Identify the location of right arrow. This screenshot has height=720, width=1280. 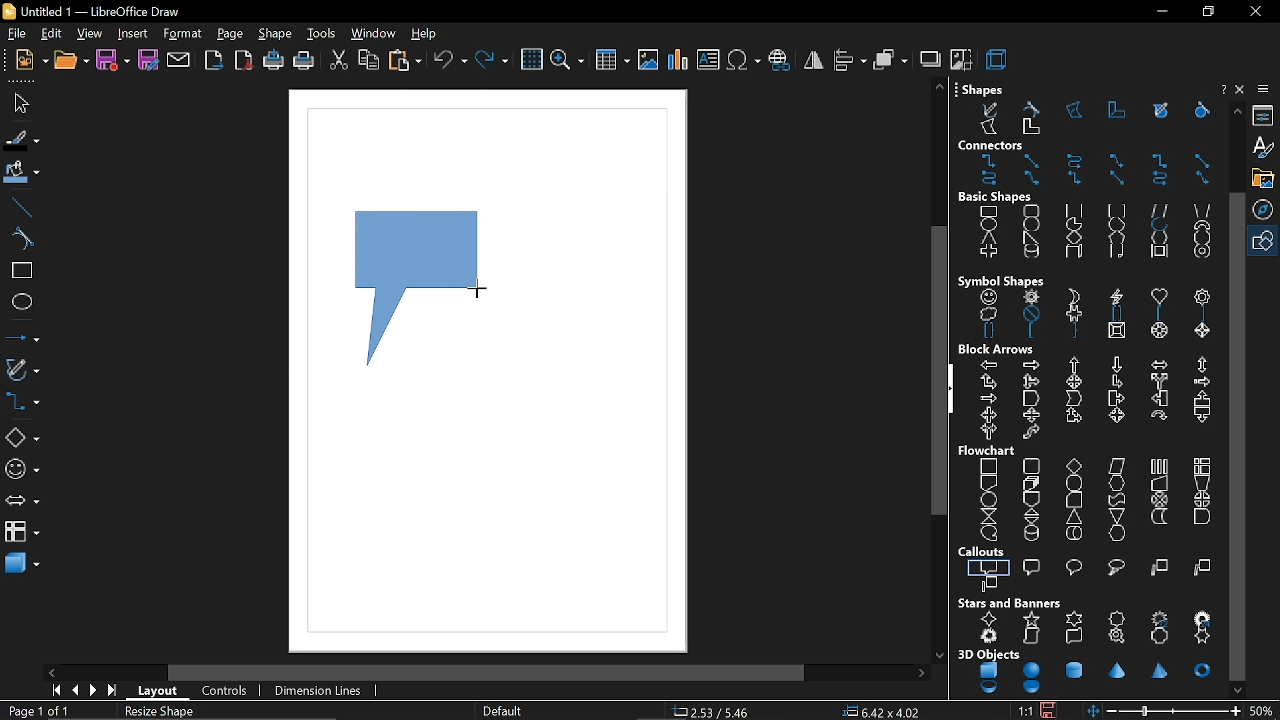
(1030, 364).